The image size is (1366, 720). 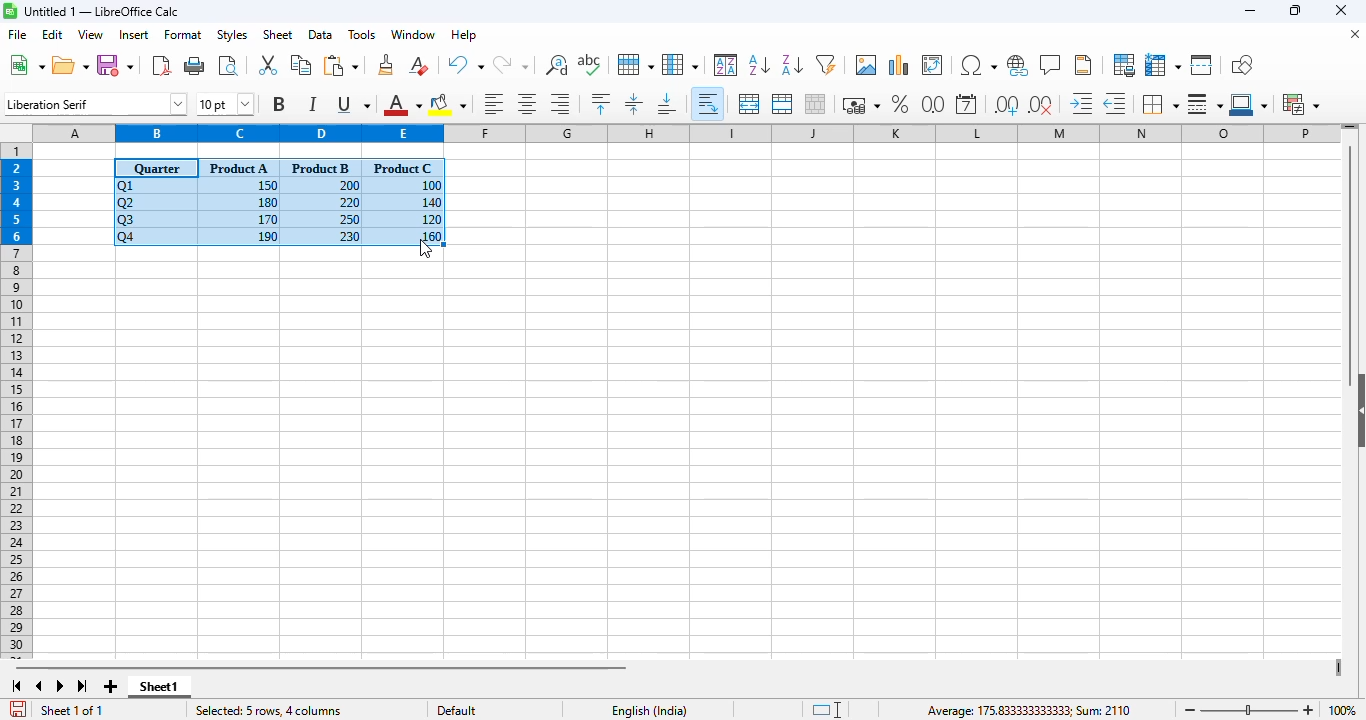 What do you see at coordinates (73, 711) in the screenshot?
I see `sheet 1 of 1` at bounding box center [73, 711].